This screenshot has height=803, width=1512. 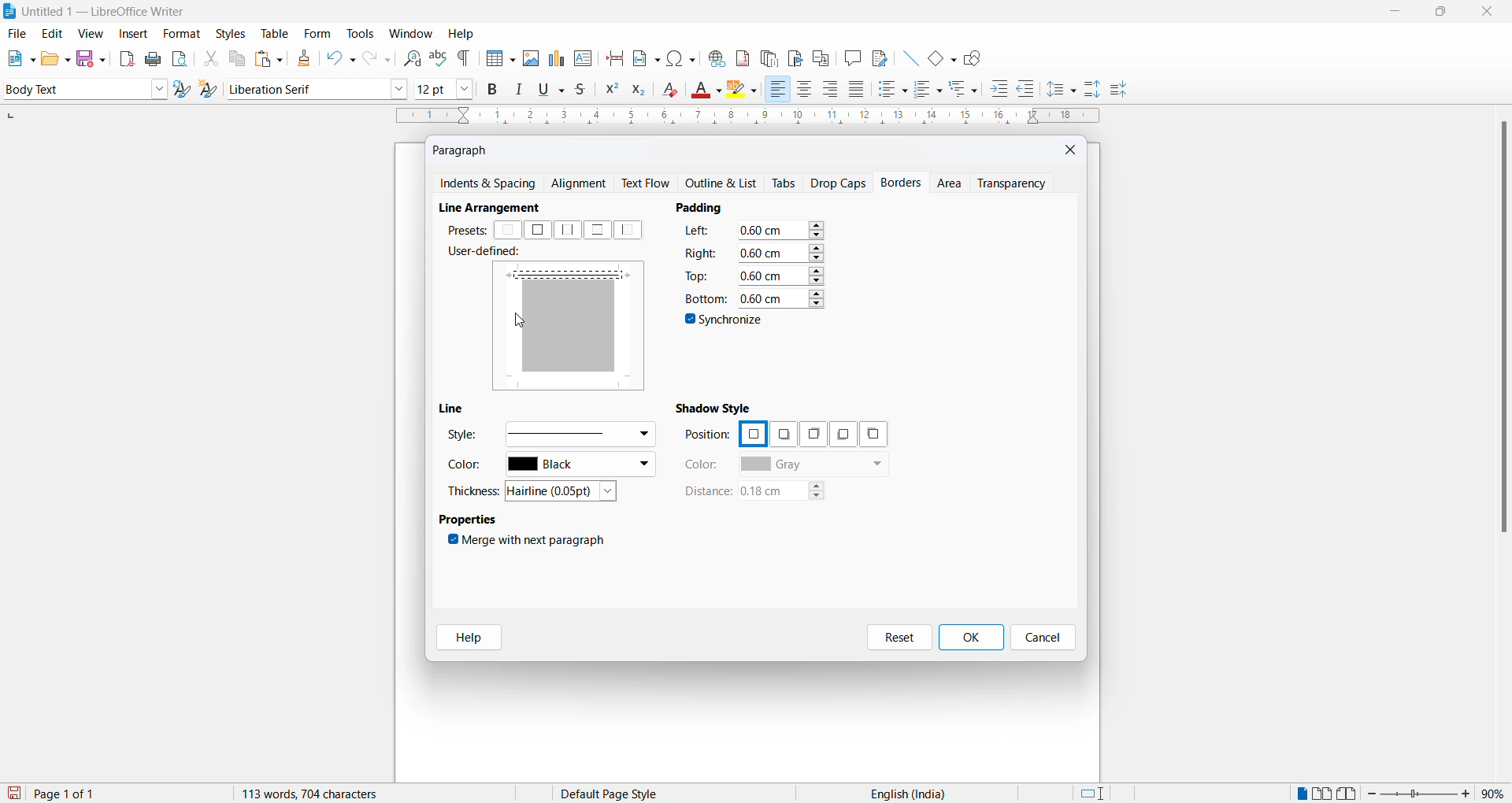 What do you see at coordinates (1094, 794) in the screenshot?
I see `standard selection` at bounding box center [1094, 794].